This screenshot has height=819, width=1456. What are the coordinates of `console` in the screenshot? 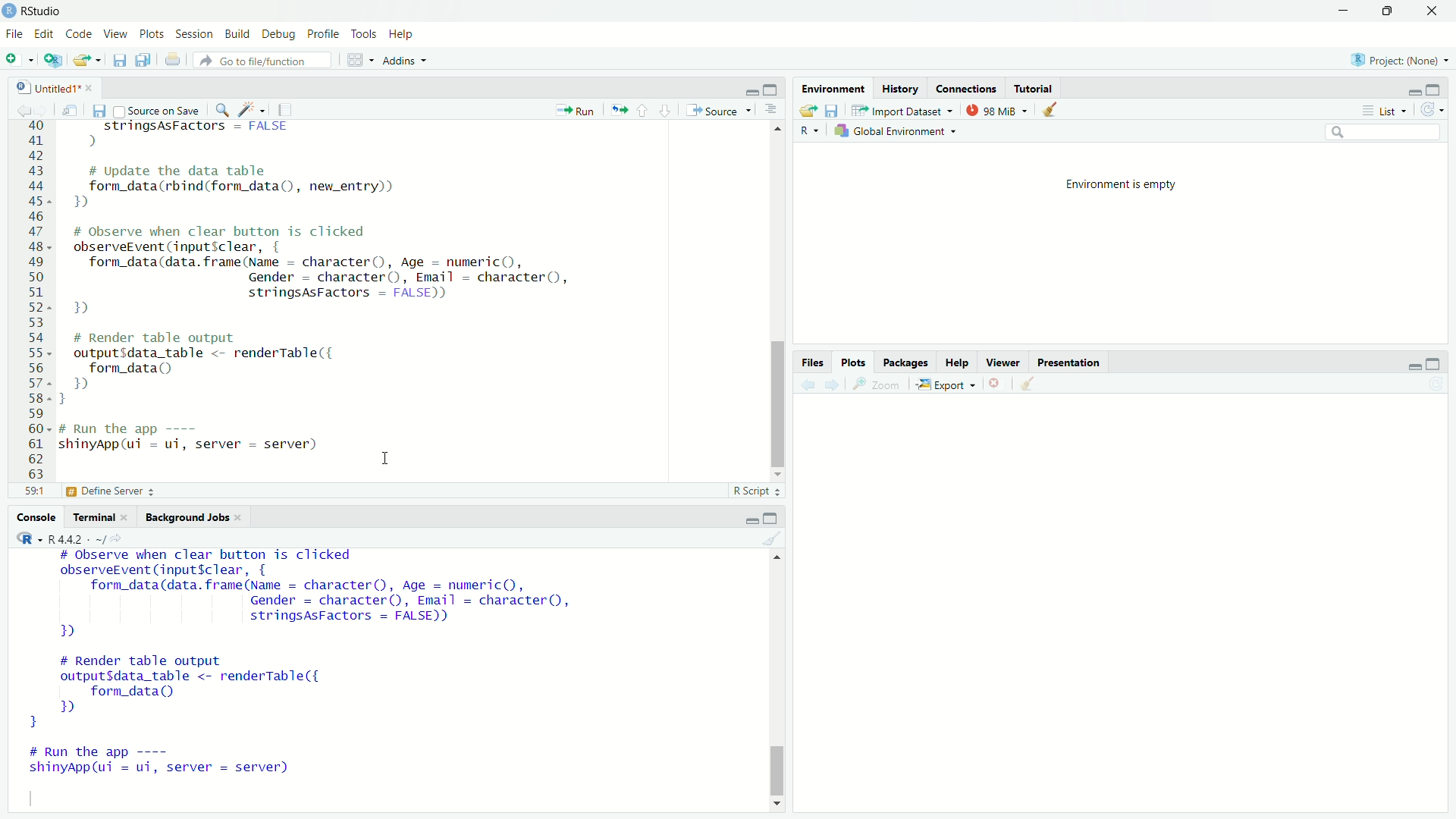 It's located at (34, 517).